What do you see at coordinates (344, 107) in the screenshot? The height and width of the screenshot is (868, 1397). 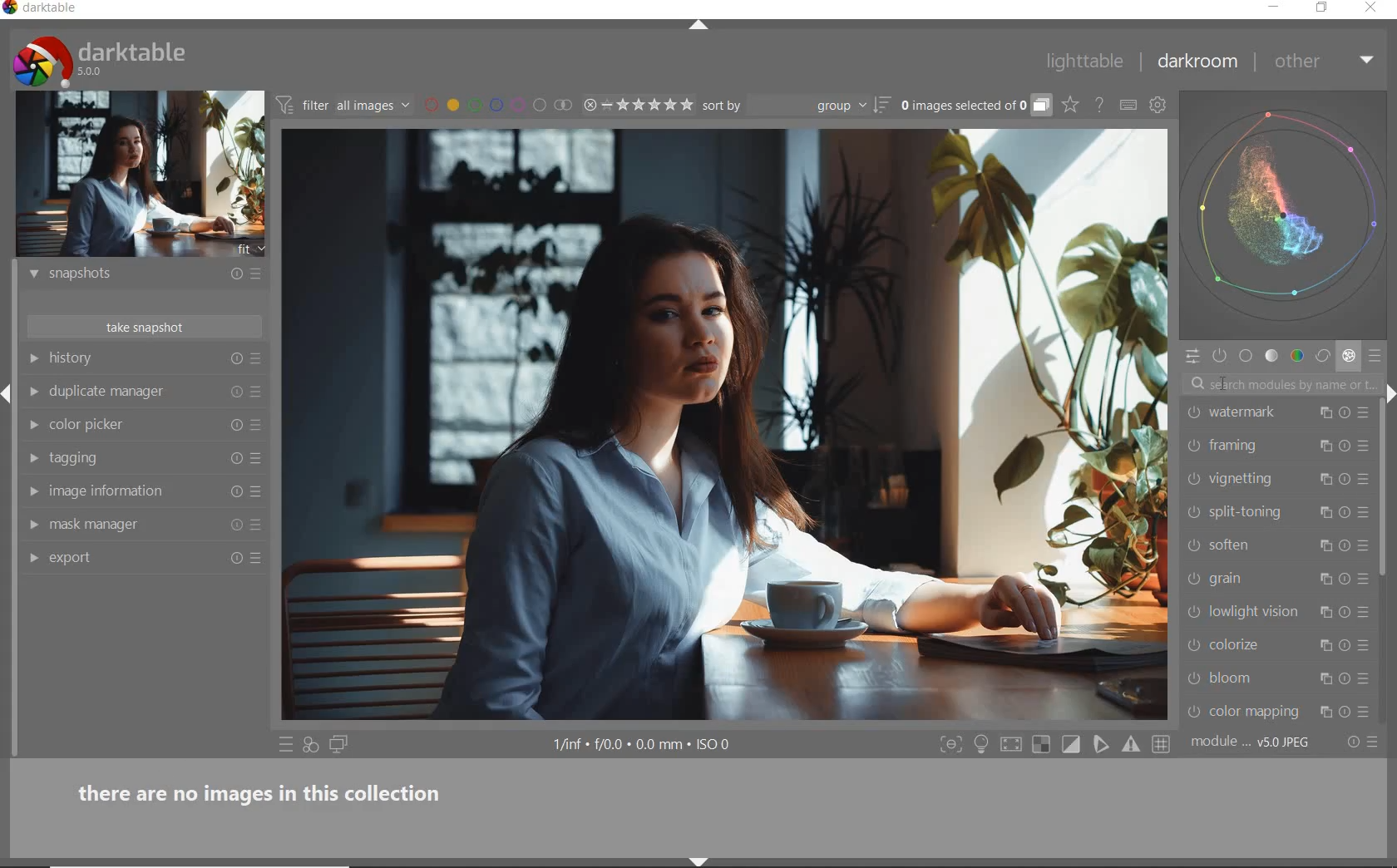 I see `filter images based on their module order` at bounding box center [344, 107].